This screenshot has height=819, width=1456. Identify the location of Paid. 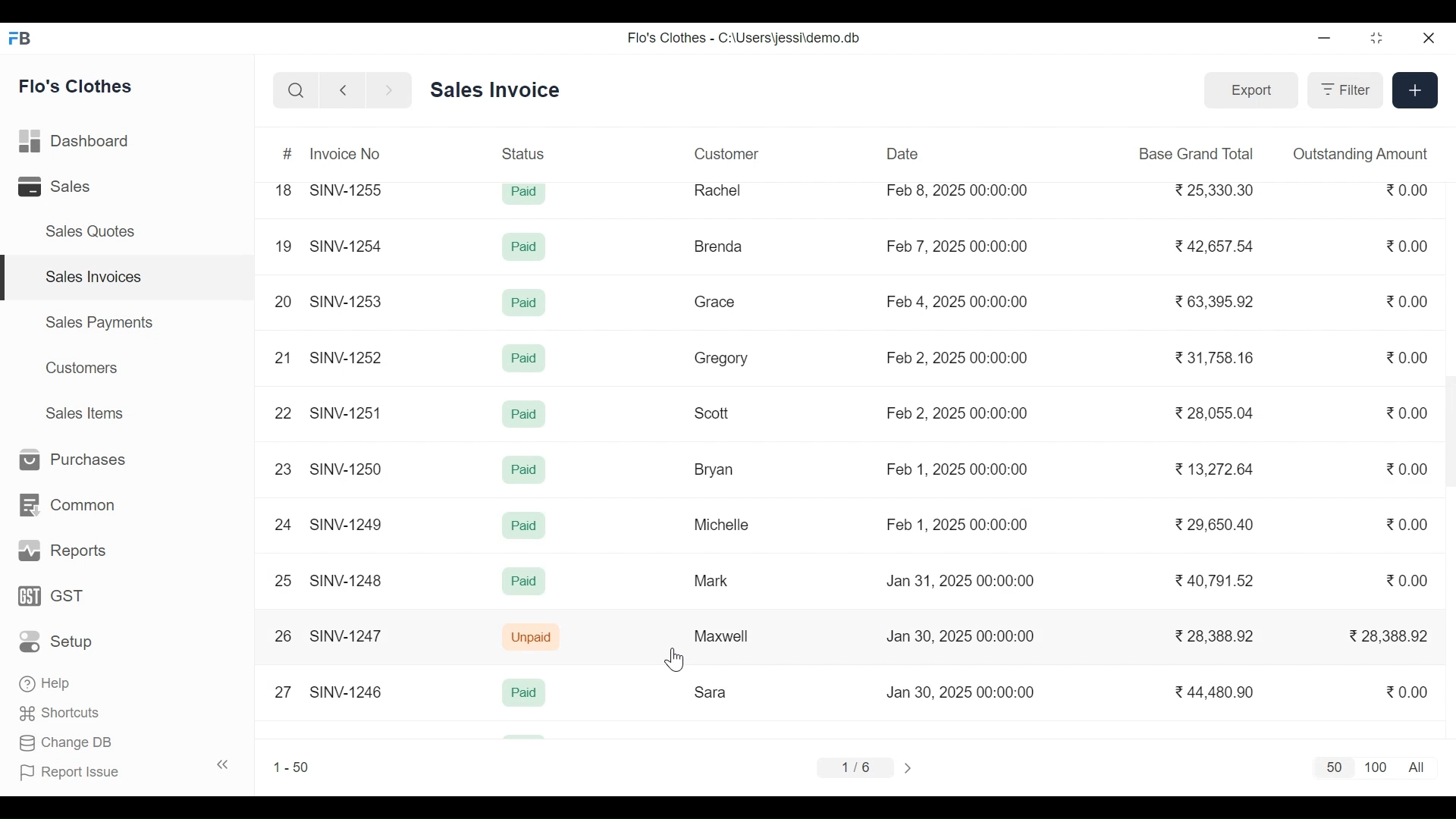
(526, 303).